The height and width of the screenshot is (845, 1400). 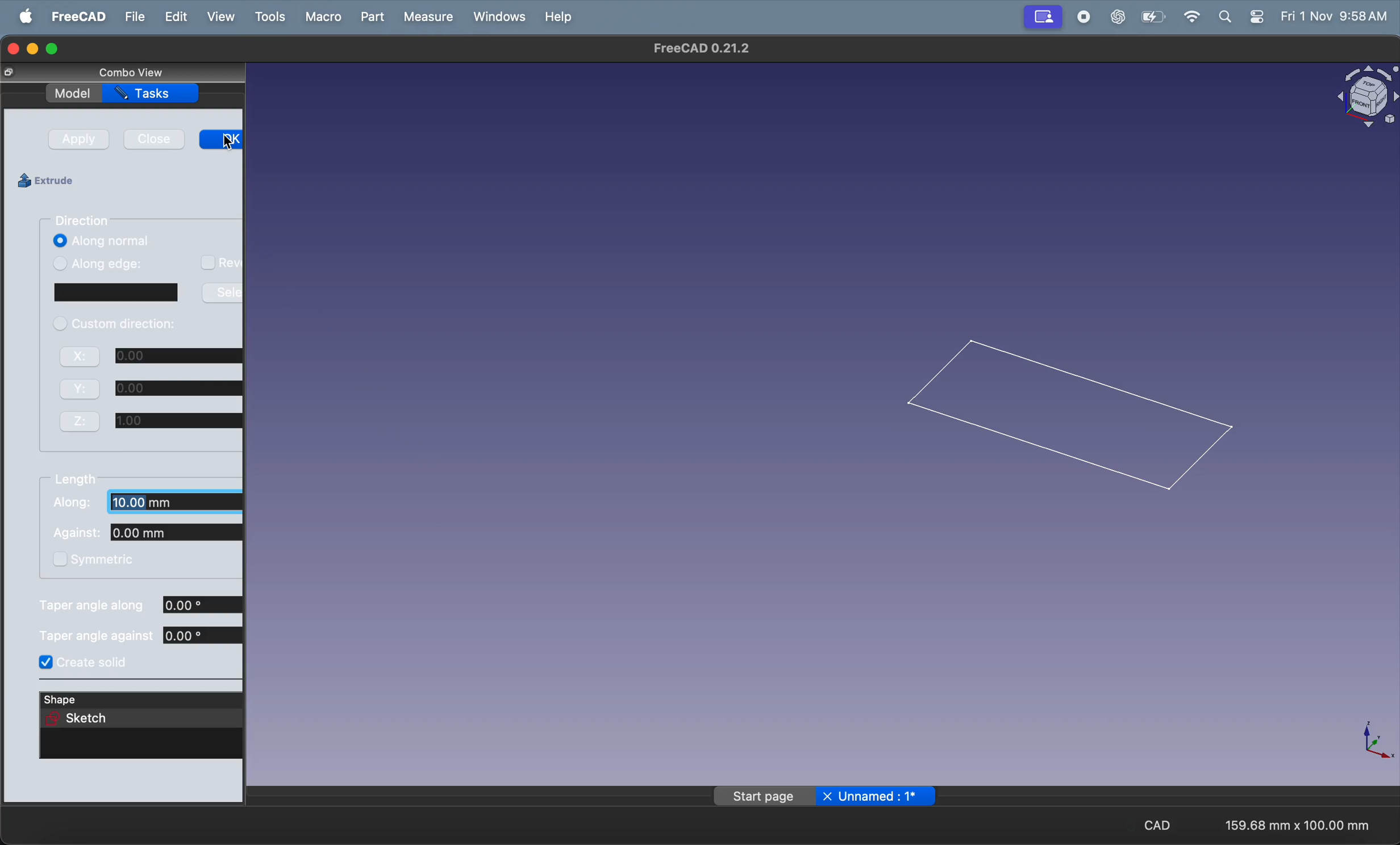 I want to click on macro, so click(x=319, y=17).